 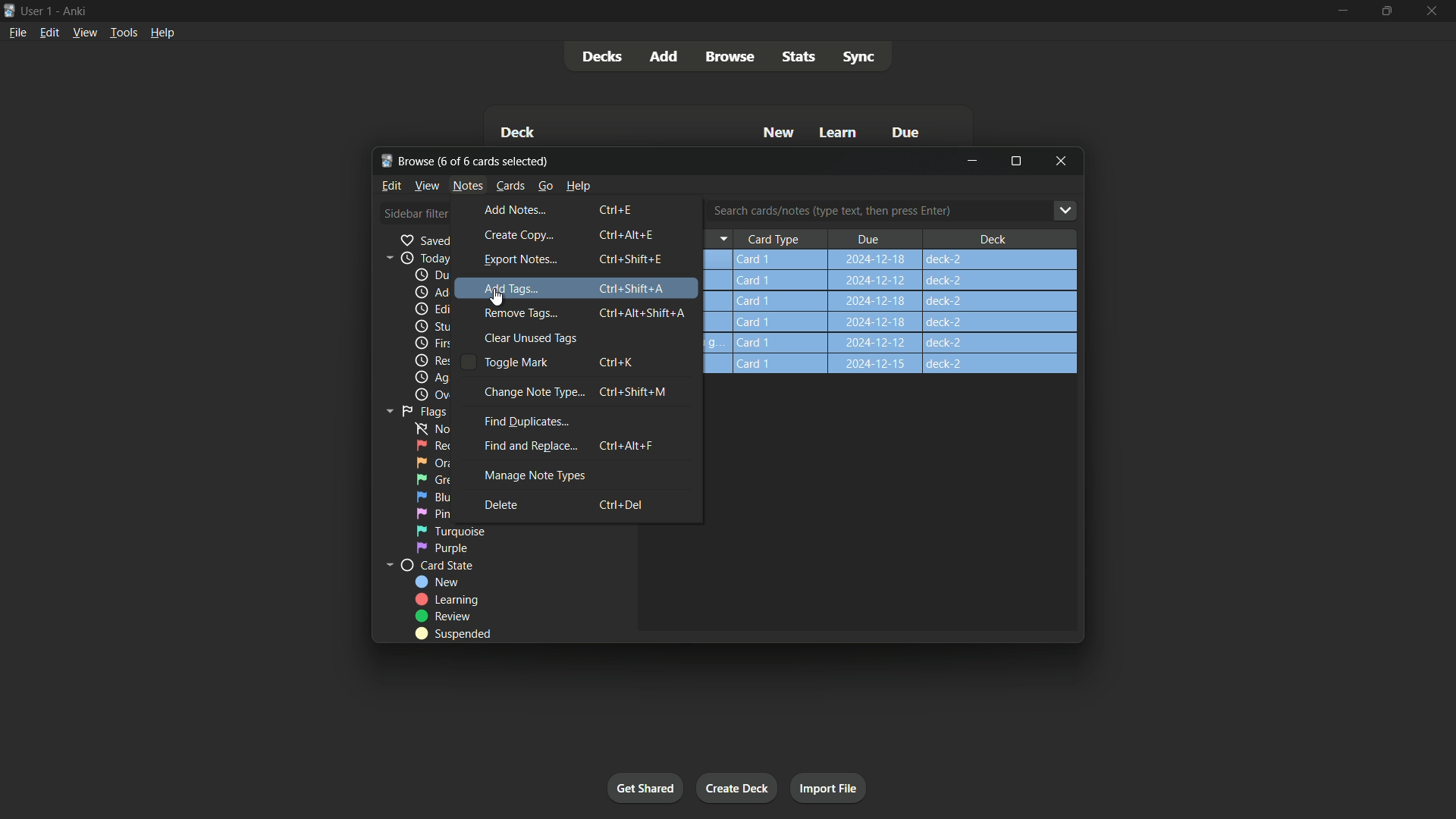 What do you see at coordinates (443, 361) in the screenshot?
I see `Rescheduled` at bounding box center [443, 361].